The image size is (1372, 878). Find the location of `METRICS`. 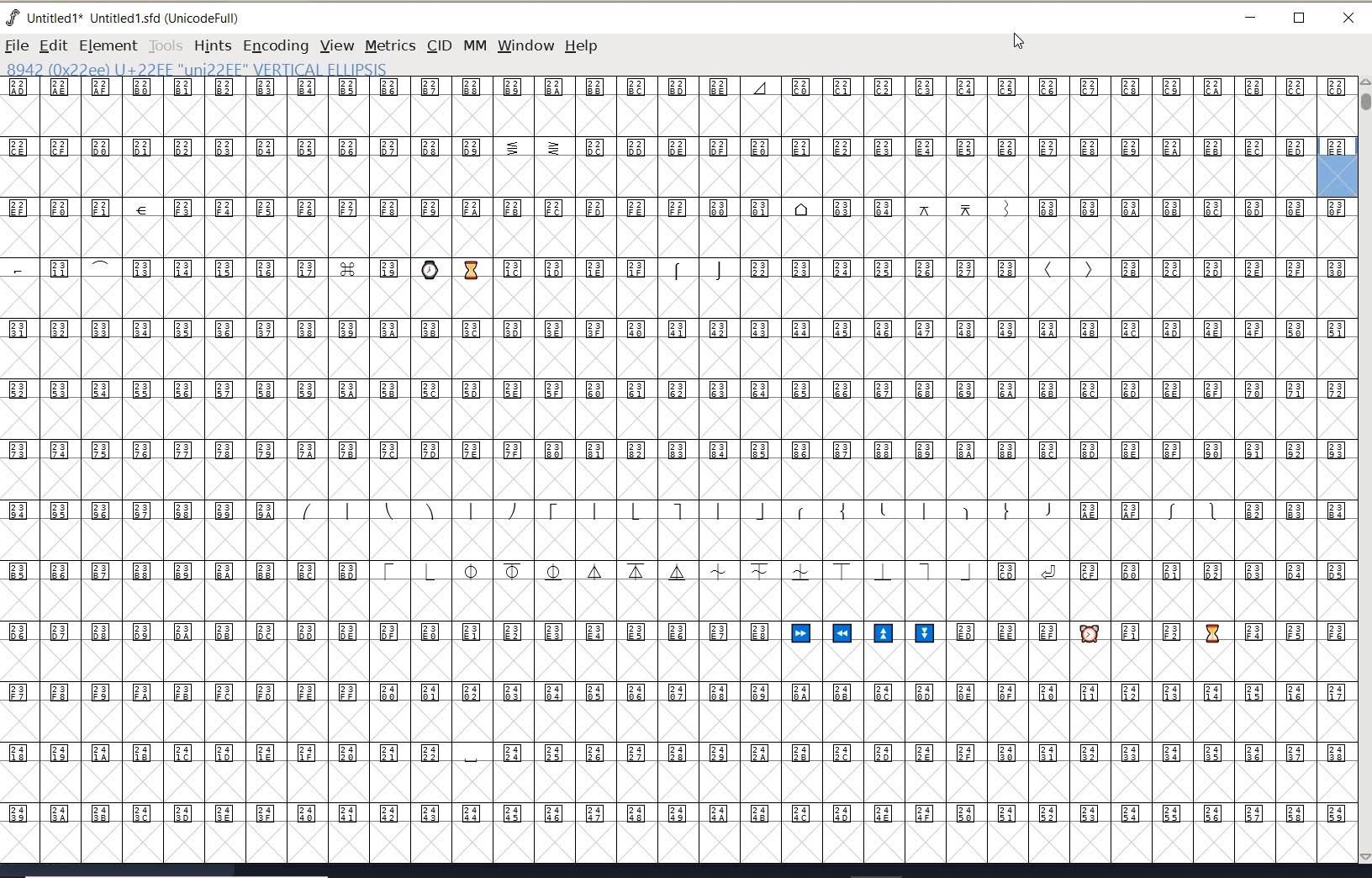

METRICS is located at coordinates (390, 45).